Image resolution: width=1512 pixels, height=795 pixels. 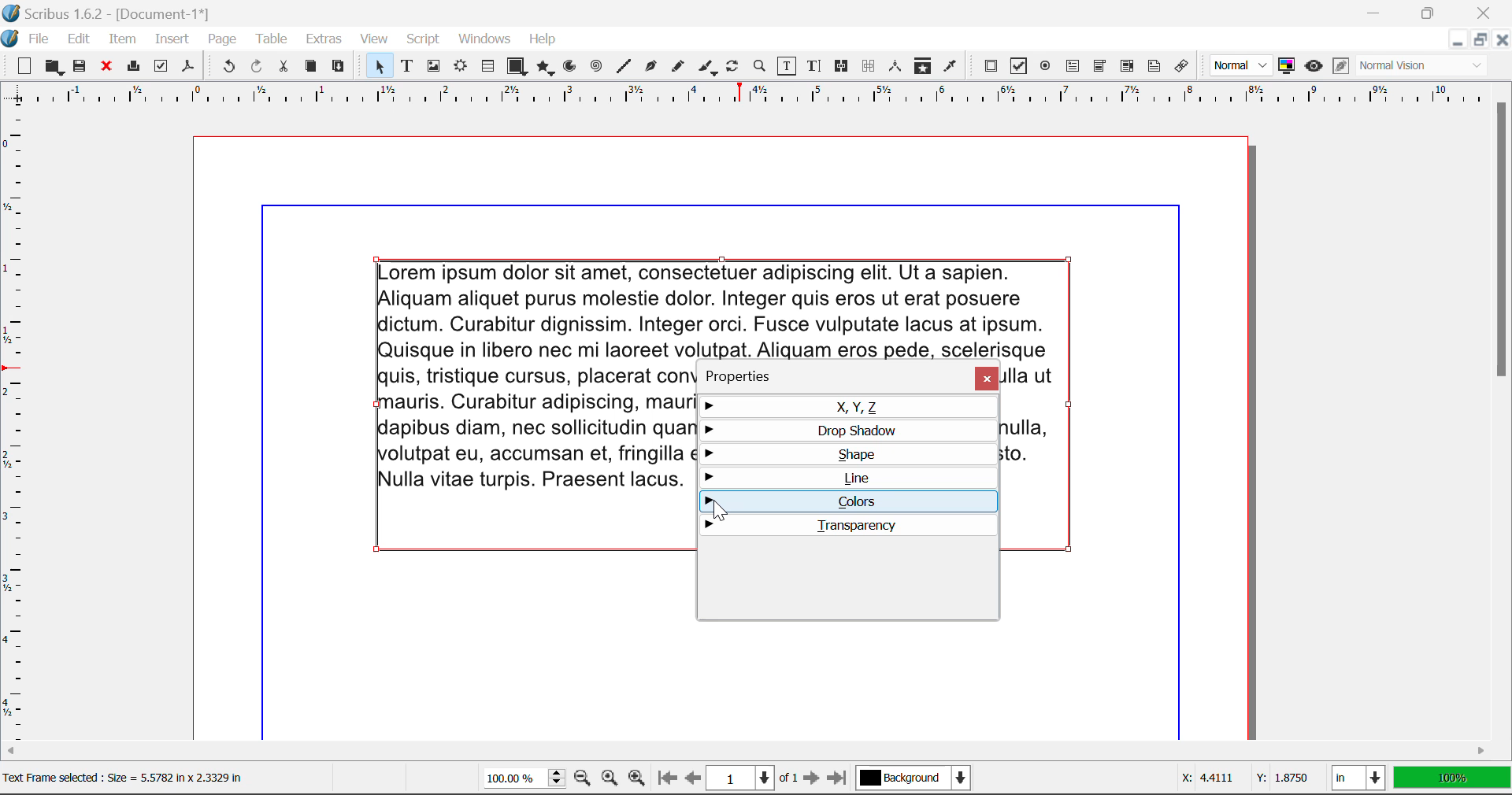 What do you see at coordinates (720, 512) in the screenshot?
I see `Cursor Position` at bounding box center [720, 512].